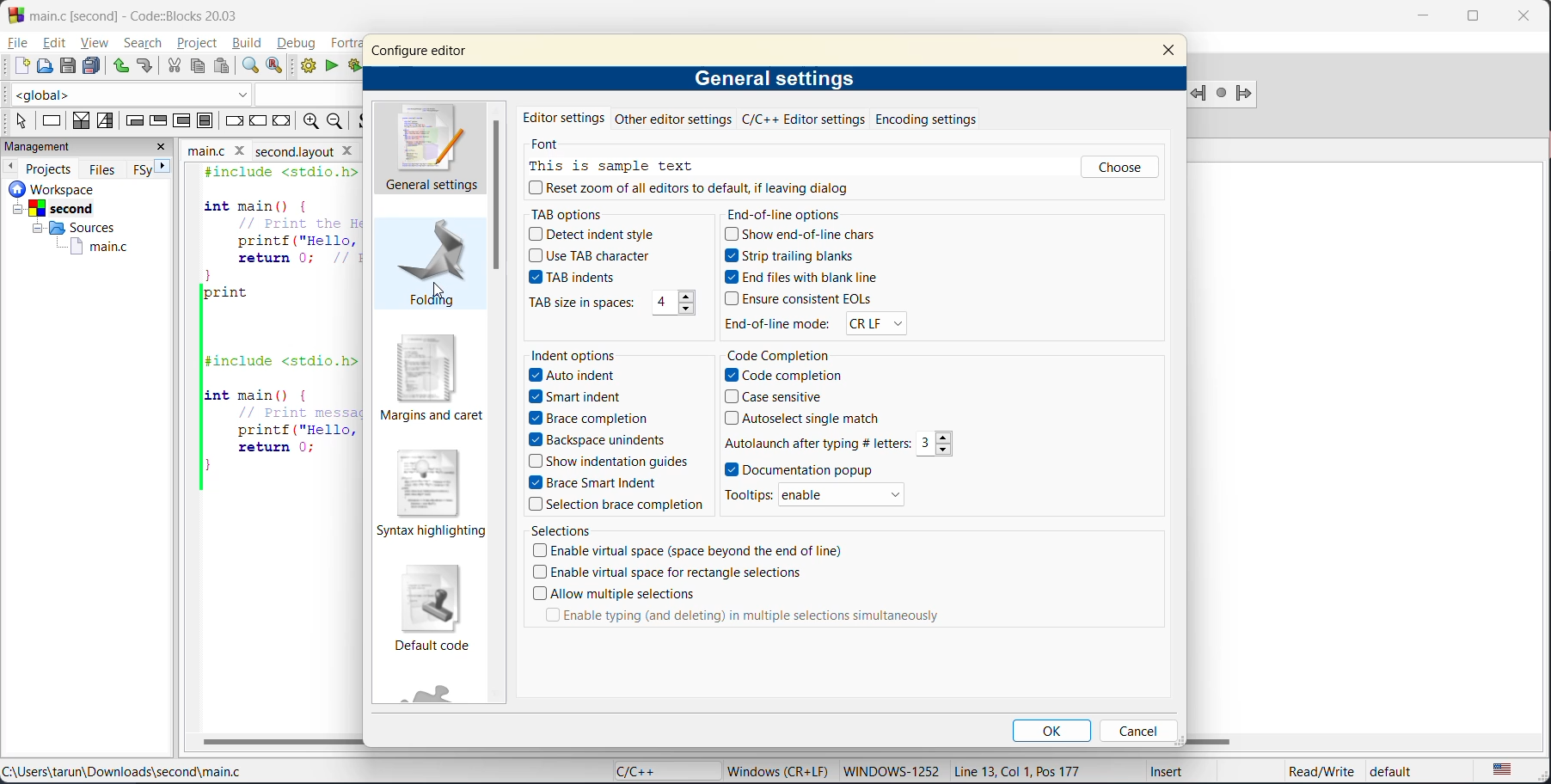 The height and width of the screenshot is (784, 1551). I want to click on project, so click(197, 43).